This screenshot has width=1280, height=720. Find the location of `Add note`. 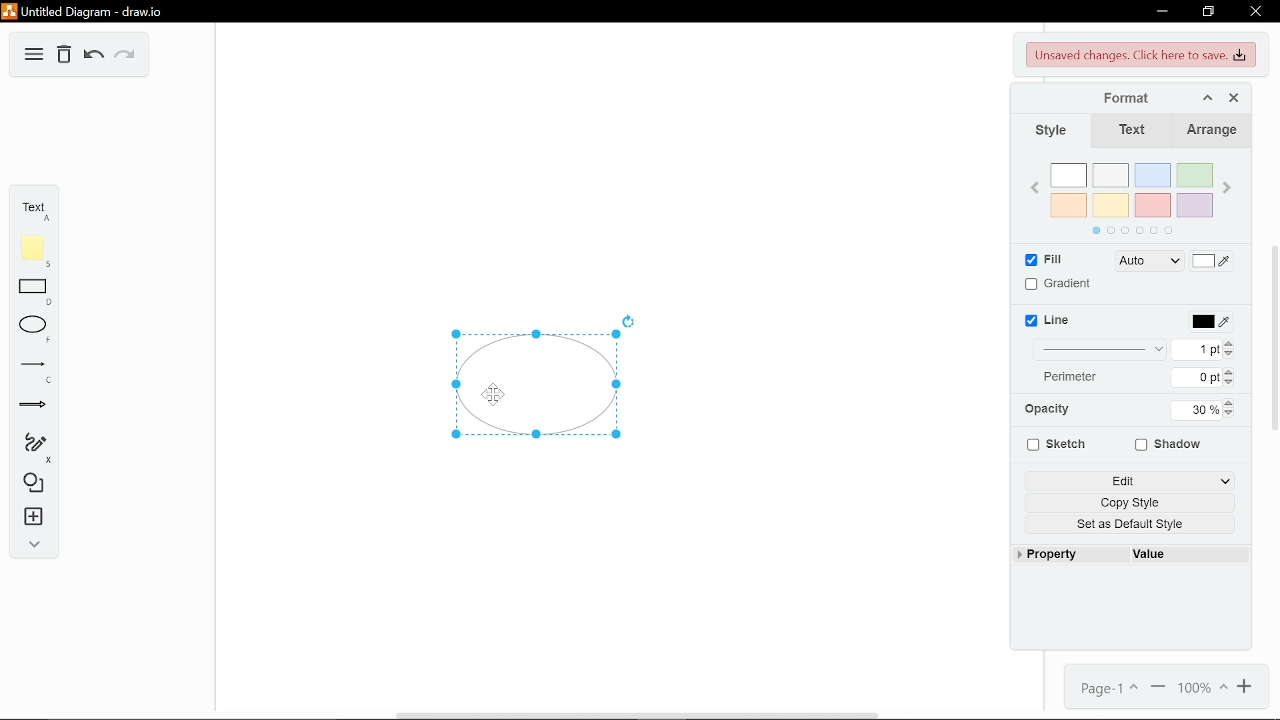

Add note is located at coordinates (34, 247).